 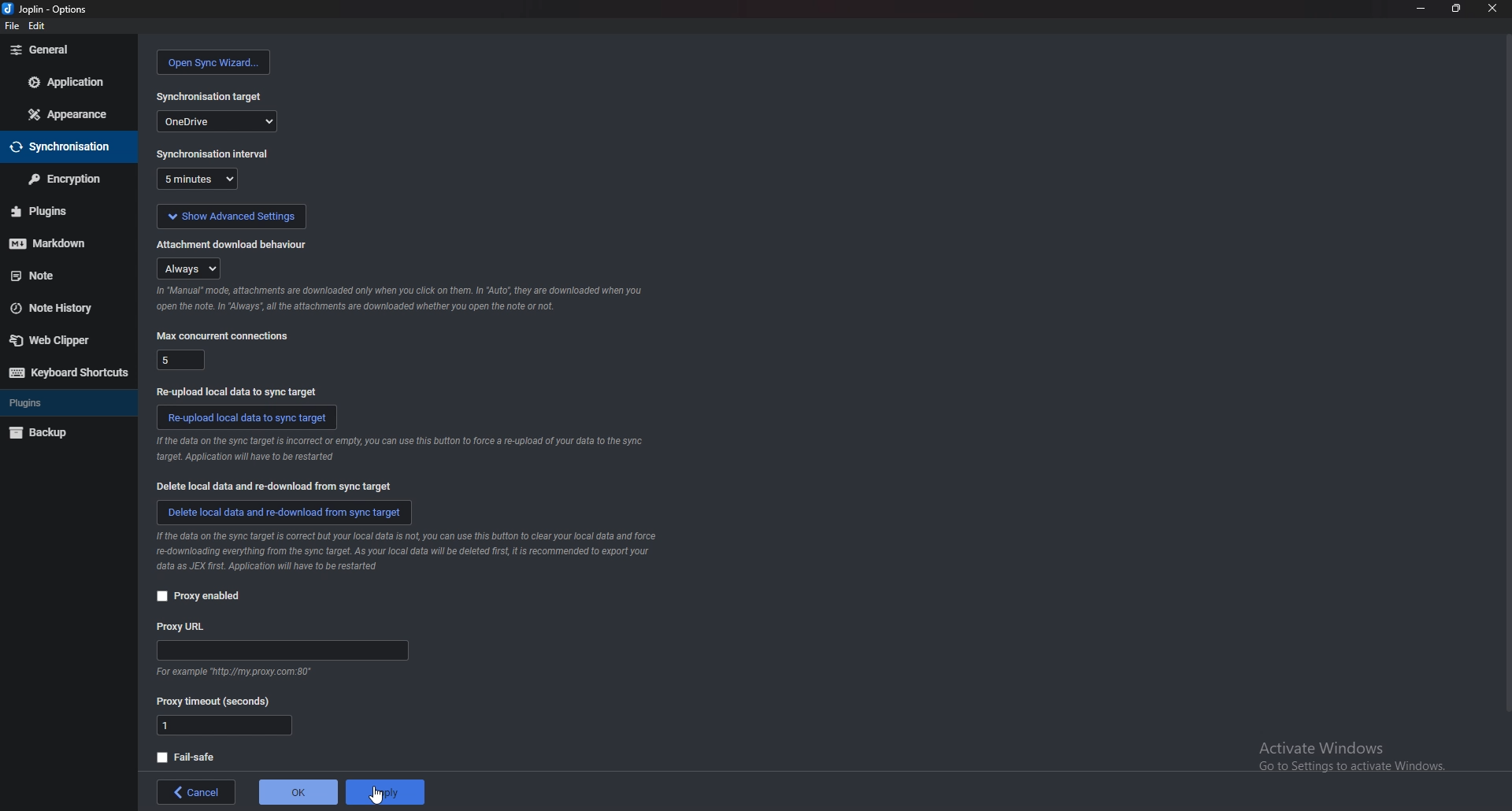 What do you see at coordinates (10, 25) in the screenshot?
I see `file` at bounding box center [10, 25].